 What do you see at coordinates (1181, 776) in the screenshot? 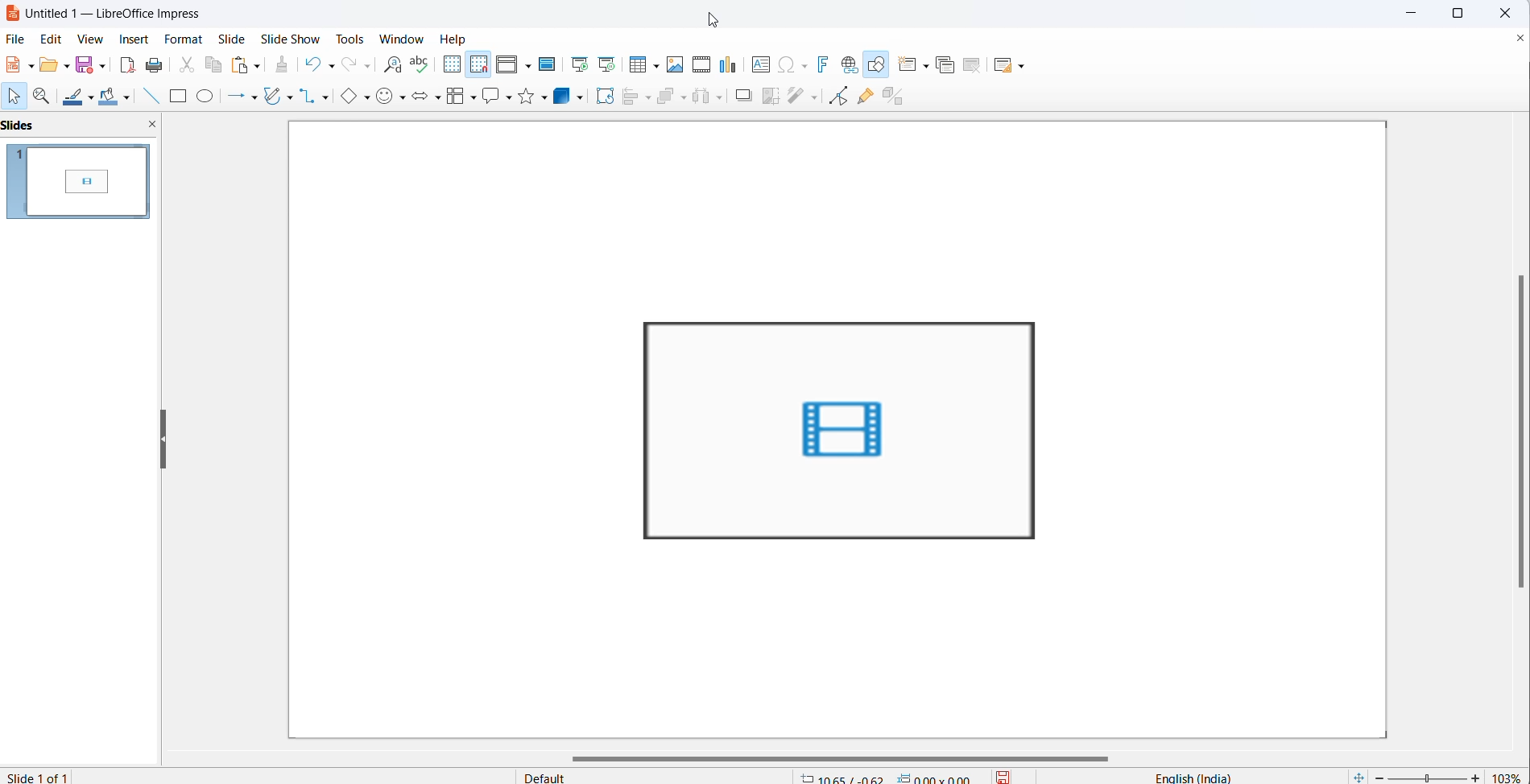
I see `text language` at bounding box center [1181, 776].